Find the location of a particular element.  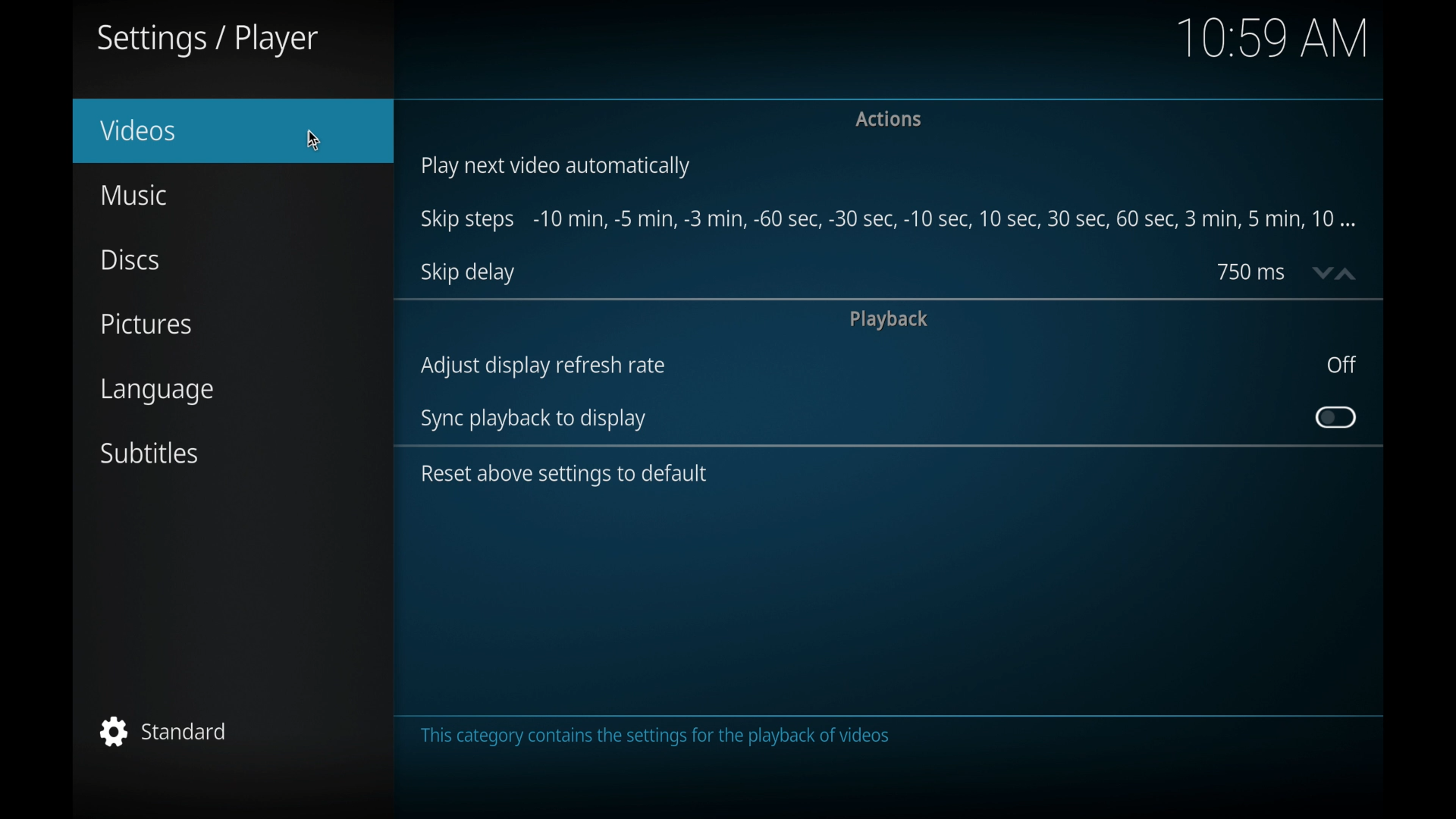

playback is located at coordinates (888, 319).